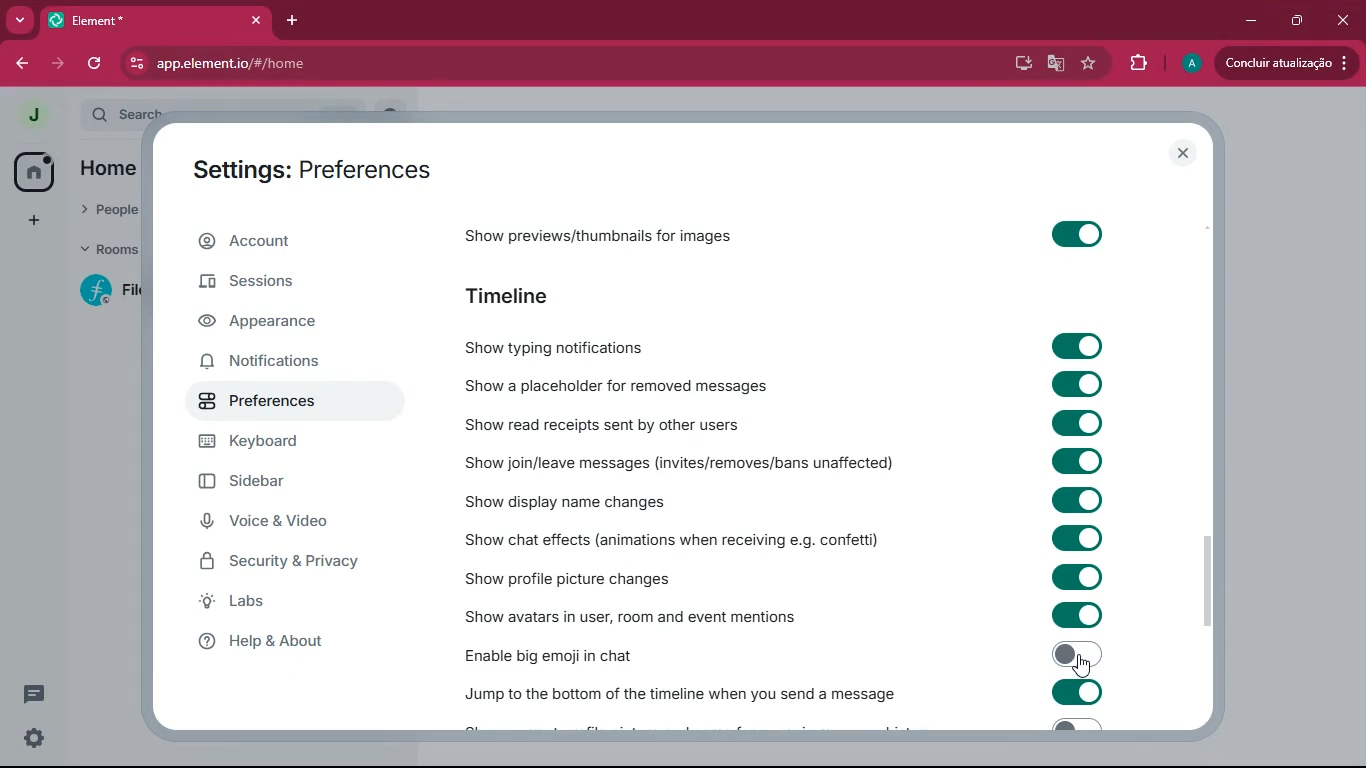 The image size is (1366, 768). What do you see at coordinates (304, 606) in the screenshot?
I see `labs` at bounding box center [304, 606].